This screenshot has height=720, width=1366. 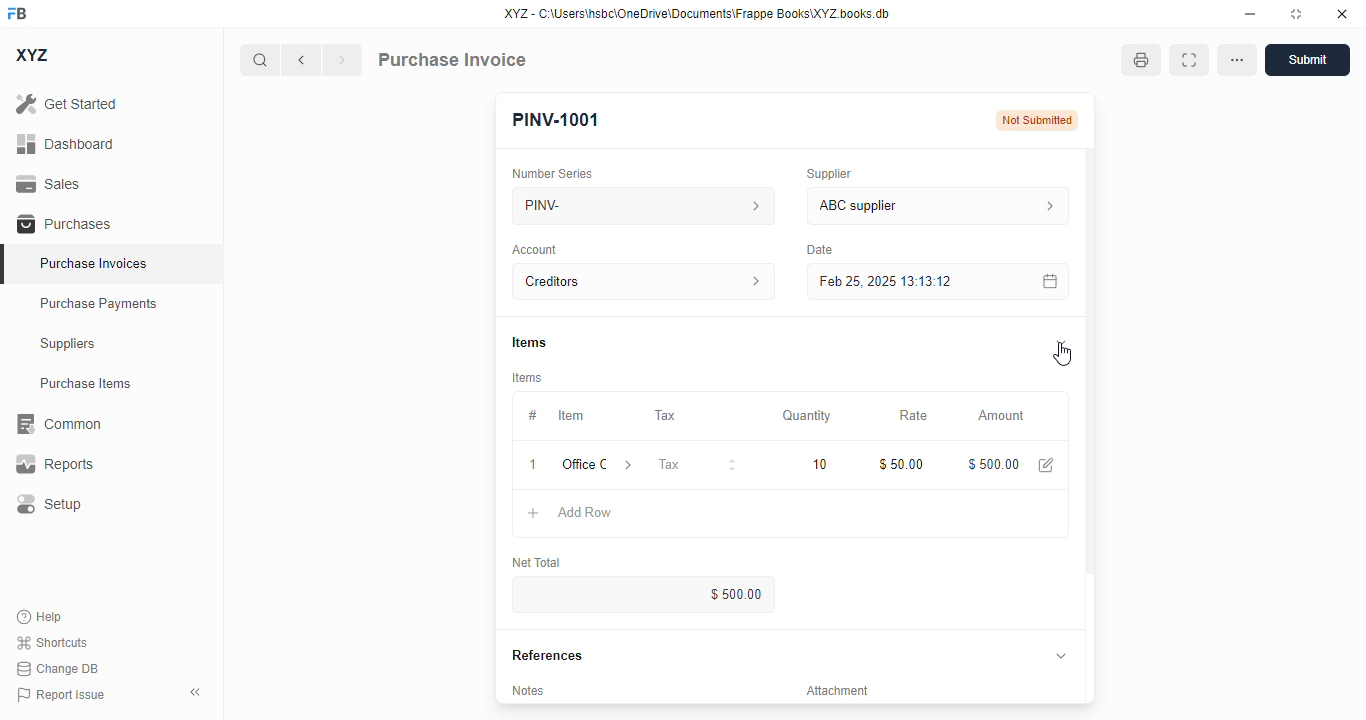 What do you see at coordinates (829, 173) in the screenshot?
I see `supplier` at bounding box center [829, 173].